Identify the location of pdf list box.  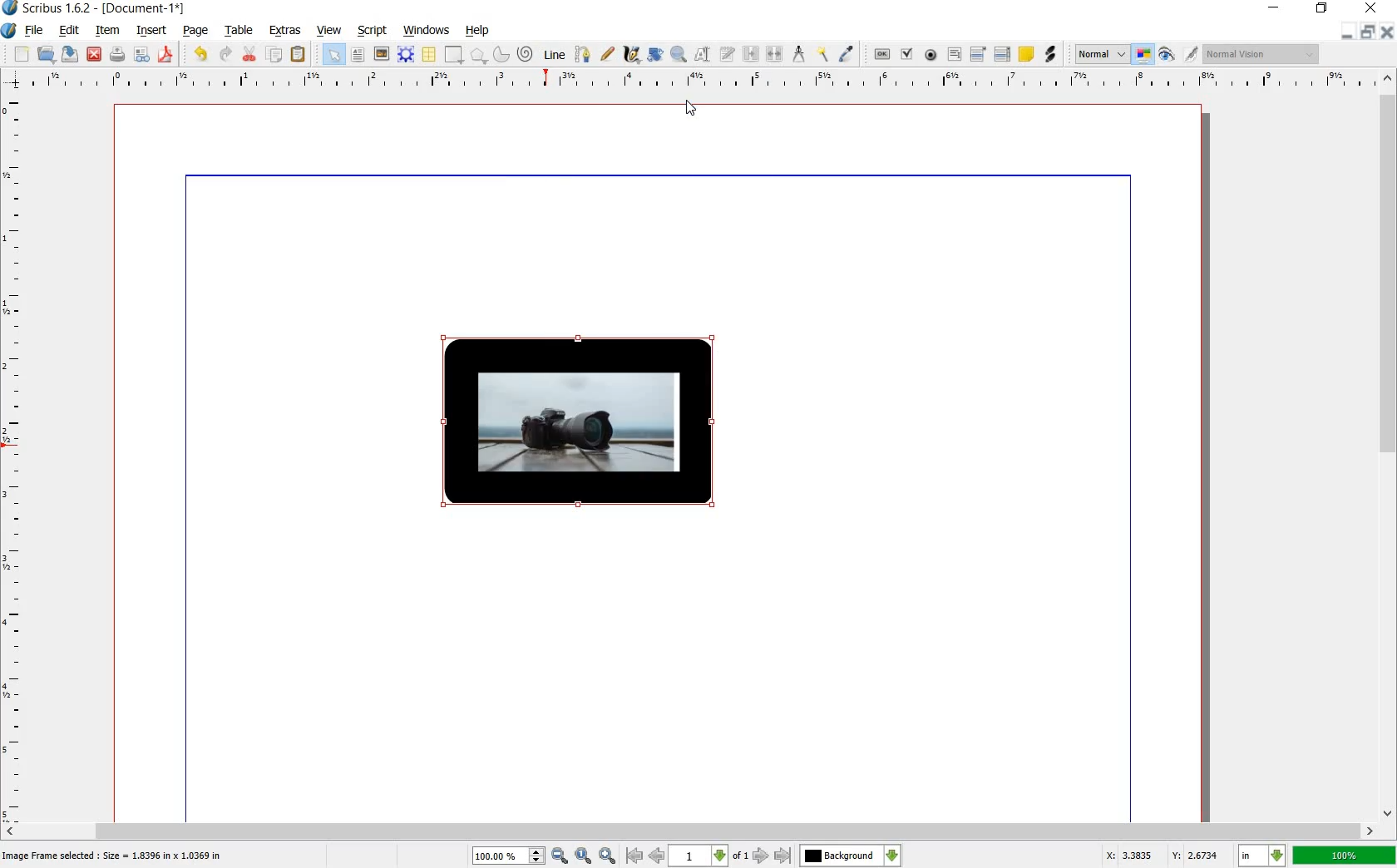
(1004, 55).